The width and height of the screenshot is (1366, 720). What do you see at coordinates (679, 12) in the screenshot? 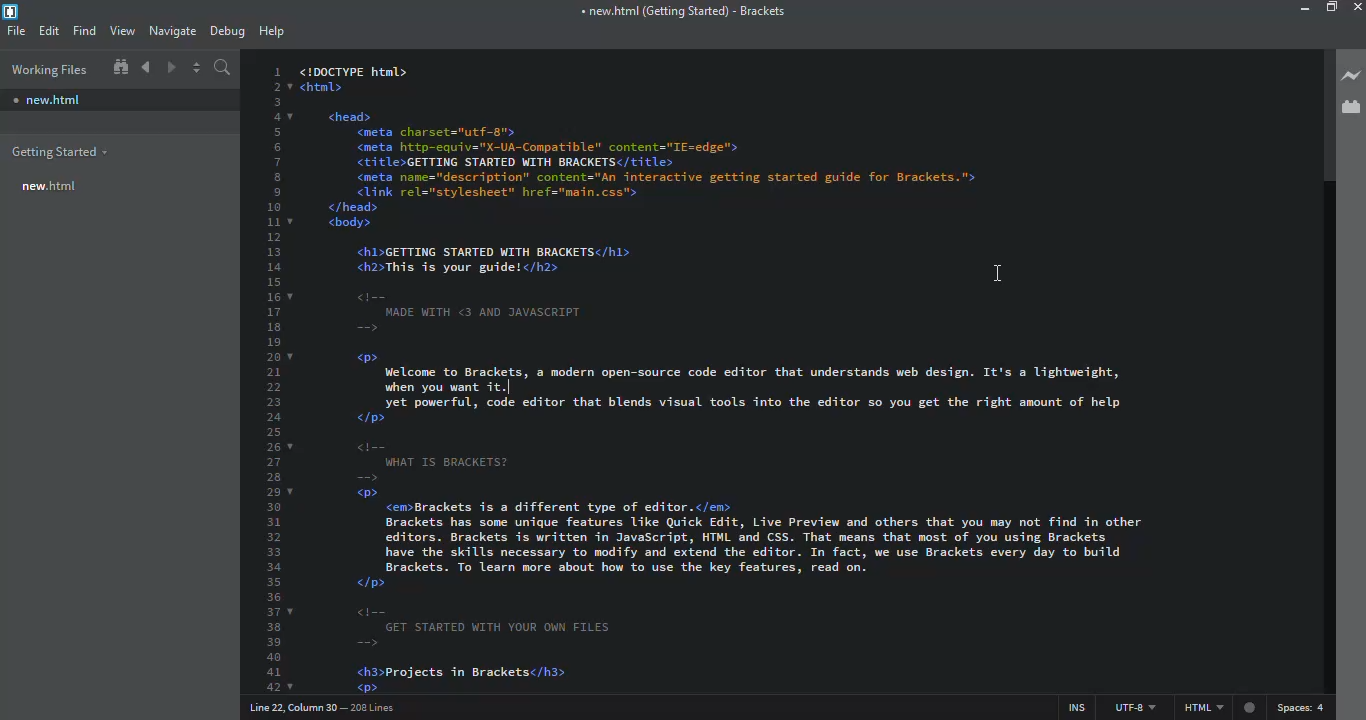
I see `brackets` at bounding box center [679, 12].